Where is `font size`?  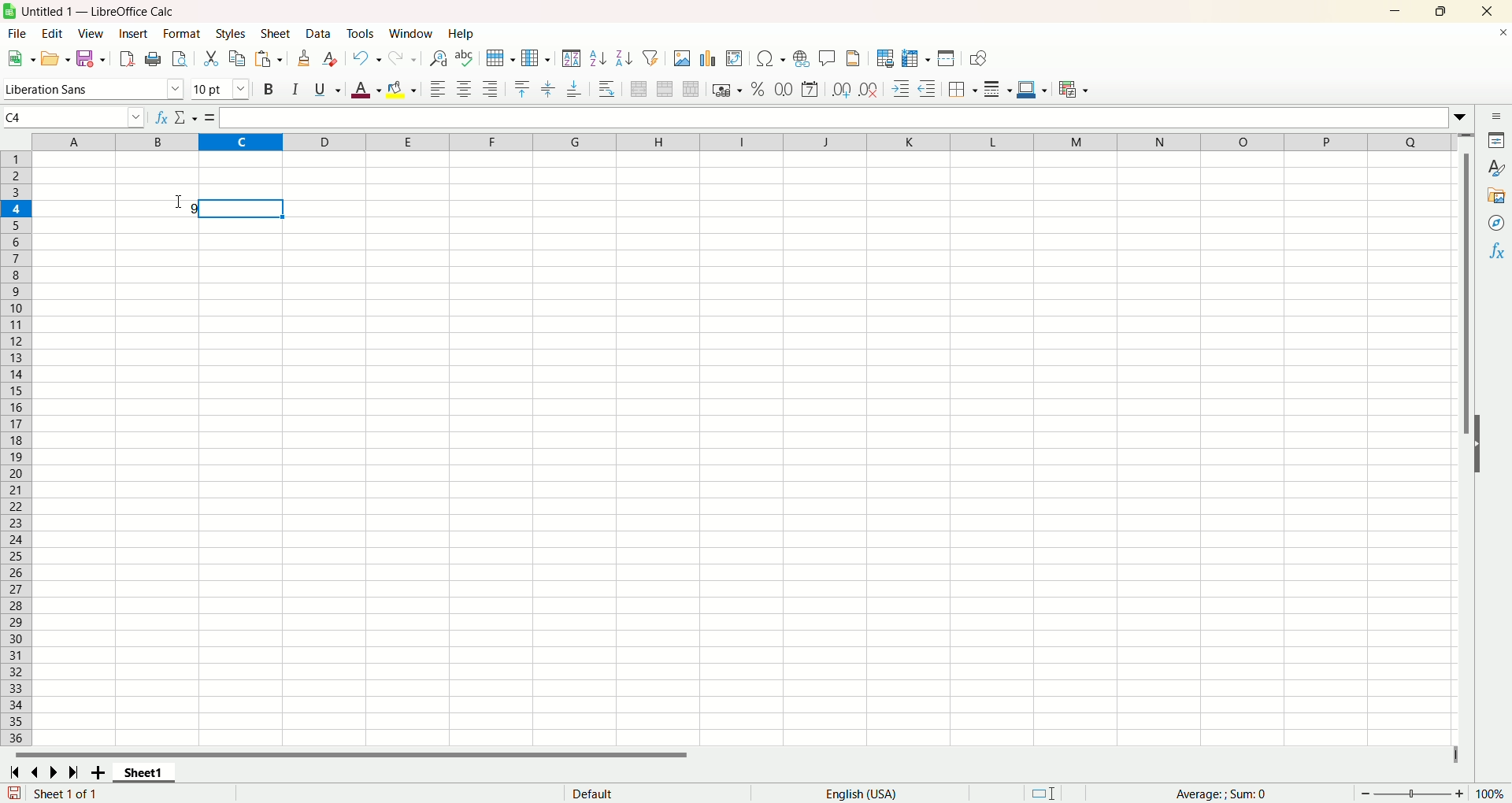 font size is located at coordinates (221, 90).